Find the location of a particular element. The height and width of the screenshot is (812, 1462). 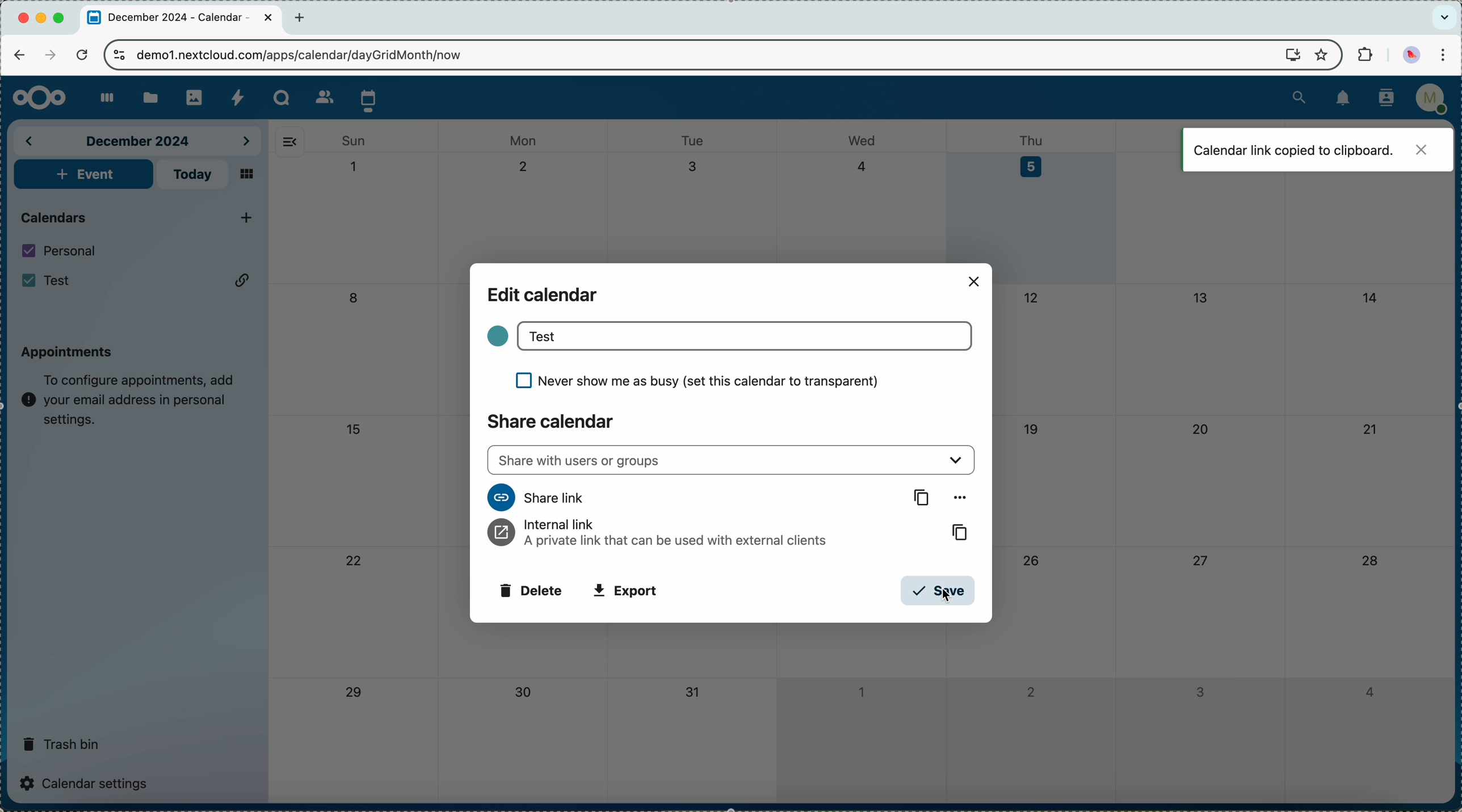

calendars is located at coordinates (56, 216).